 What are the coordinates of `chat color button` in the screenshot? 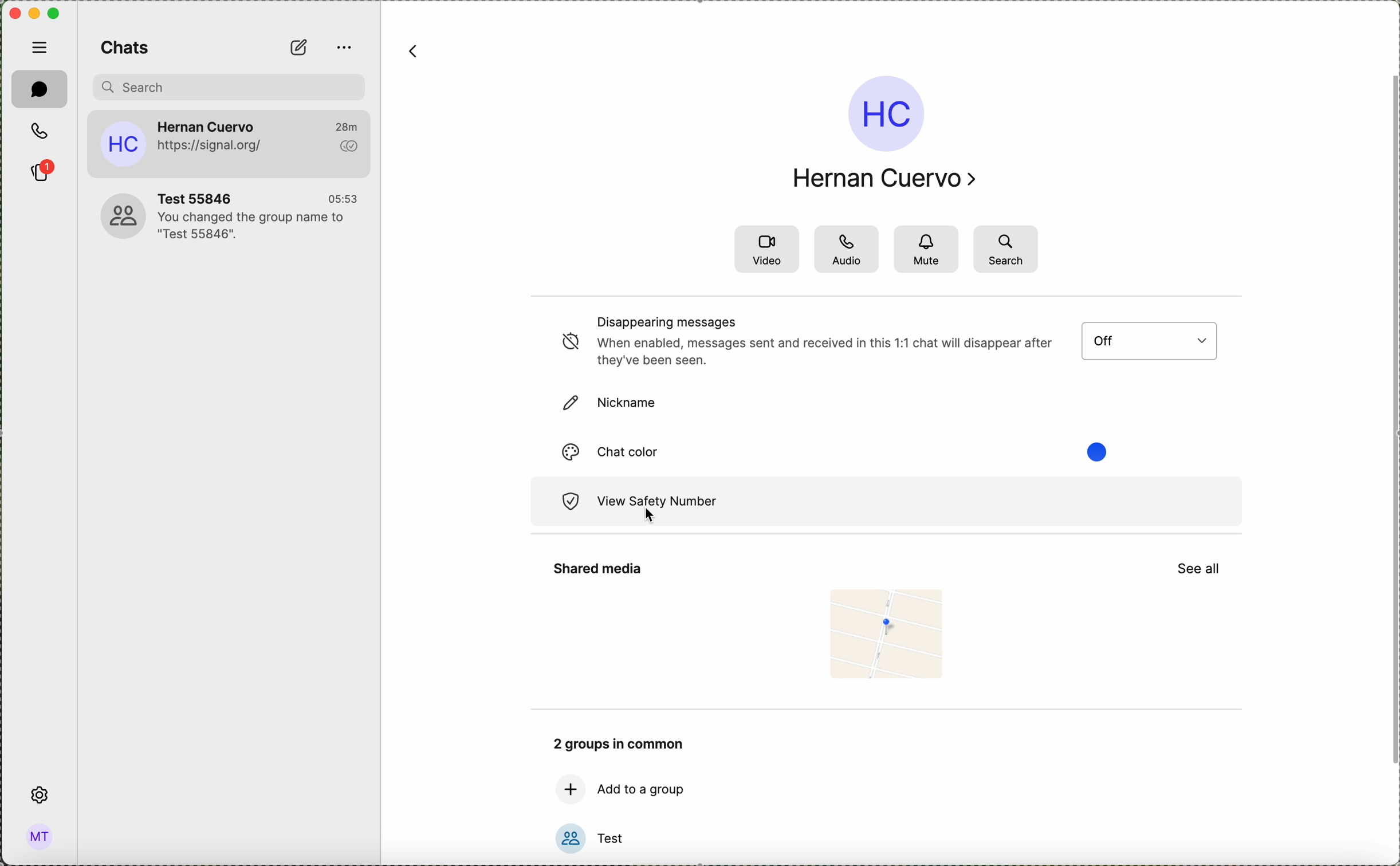 It's located at (641, 451).